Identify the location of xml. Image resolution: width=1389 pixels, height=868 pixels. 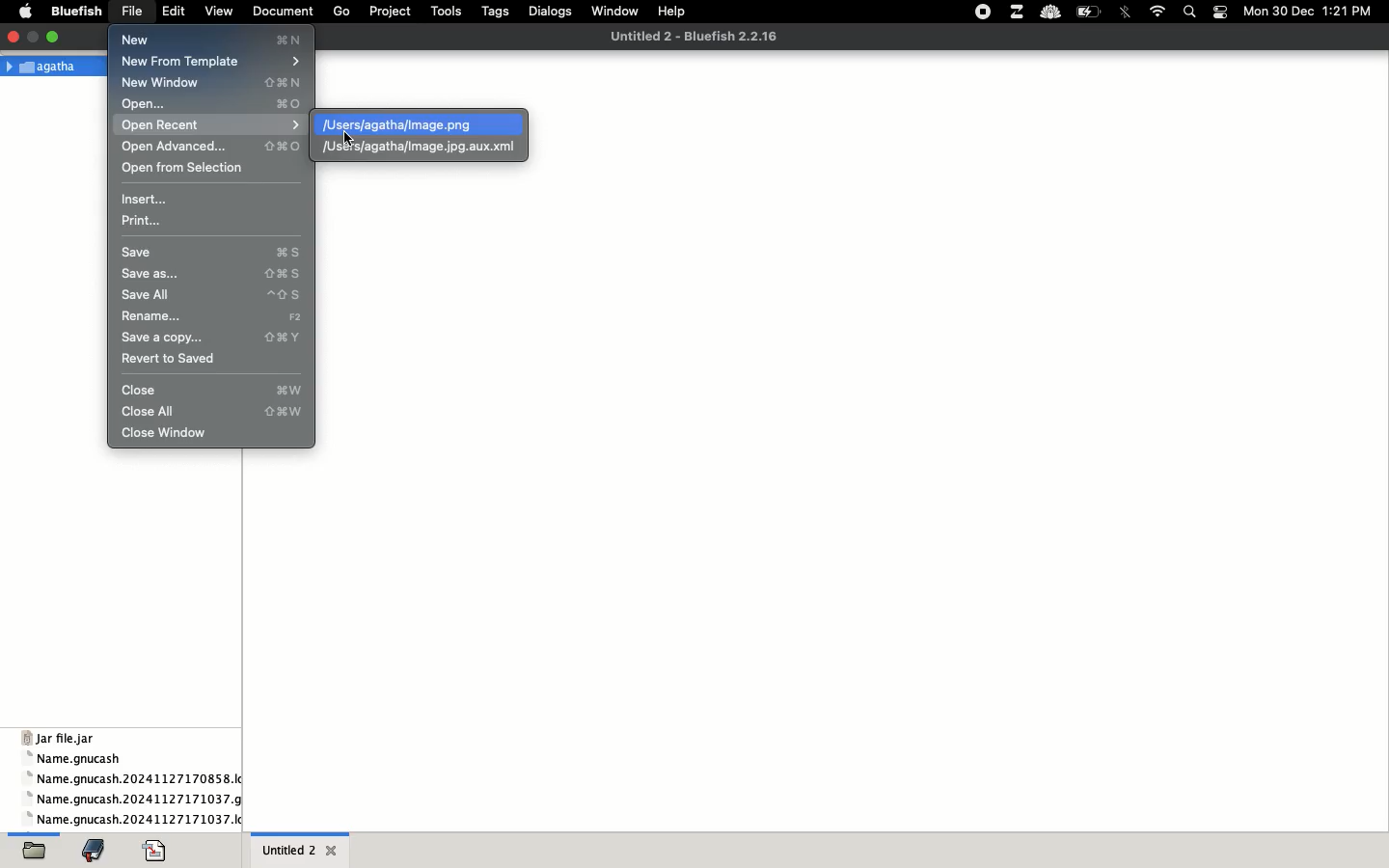
(418, 145).